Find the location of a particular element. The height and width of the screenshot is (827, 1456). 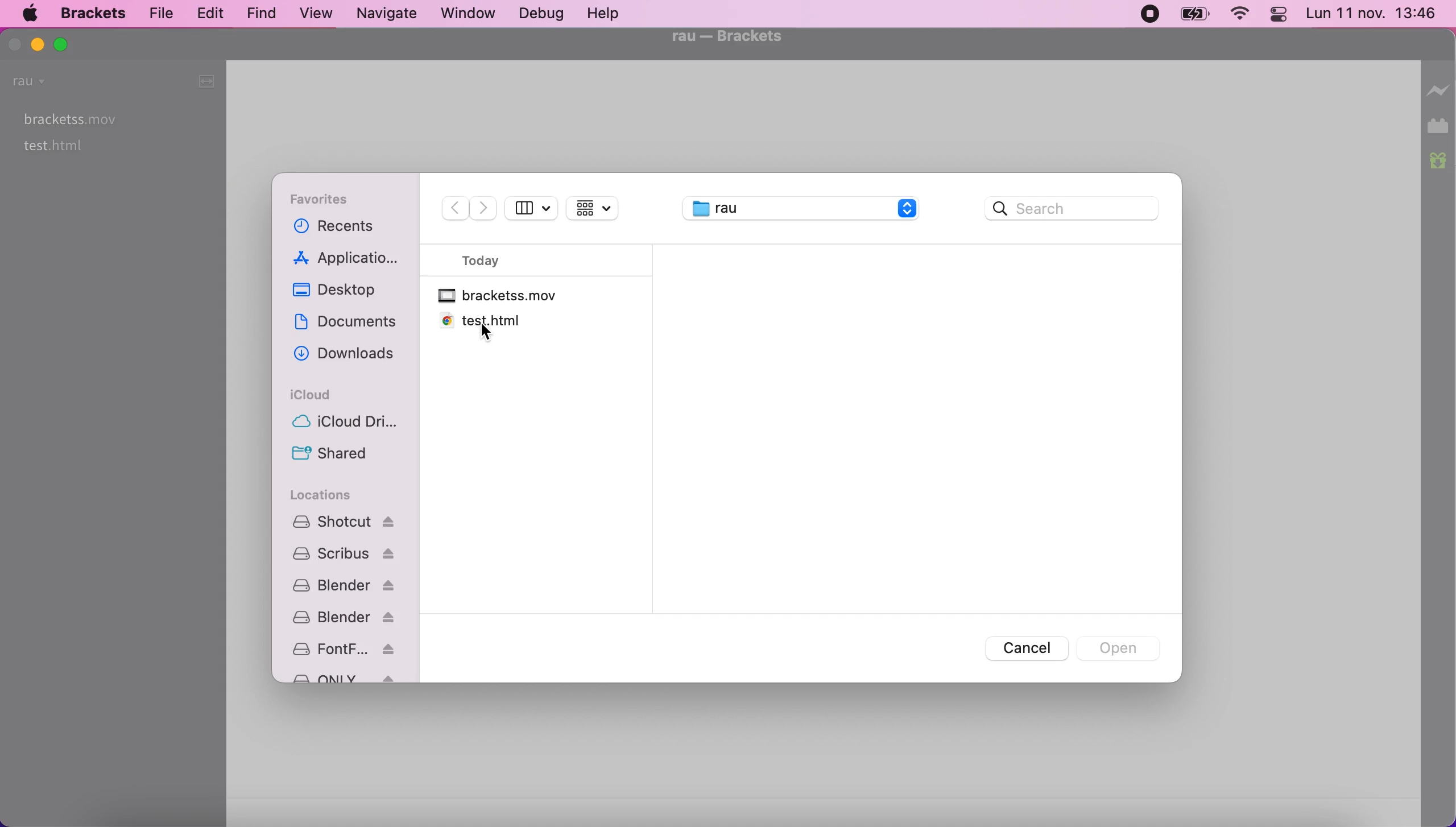

battery is located at coordinates (1195, 16).